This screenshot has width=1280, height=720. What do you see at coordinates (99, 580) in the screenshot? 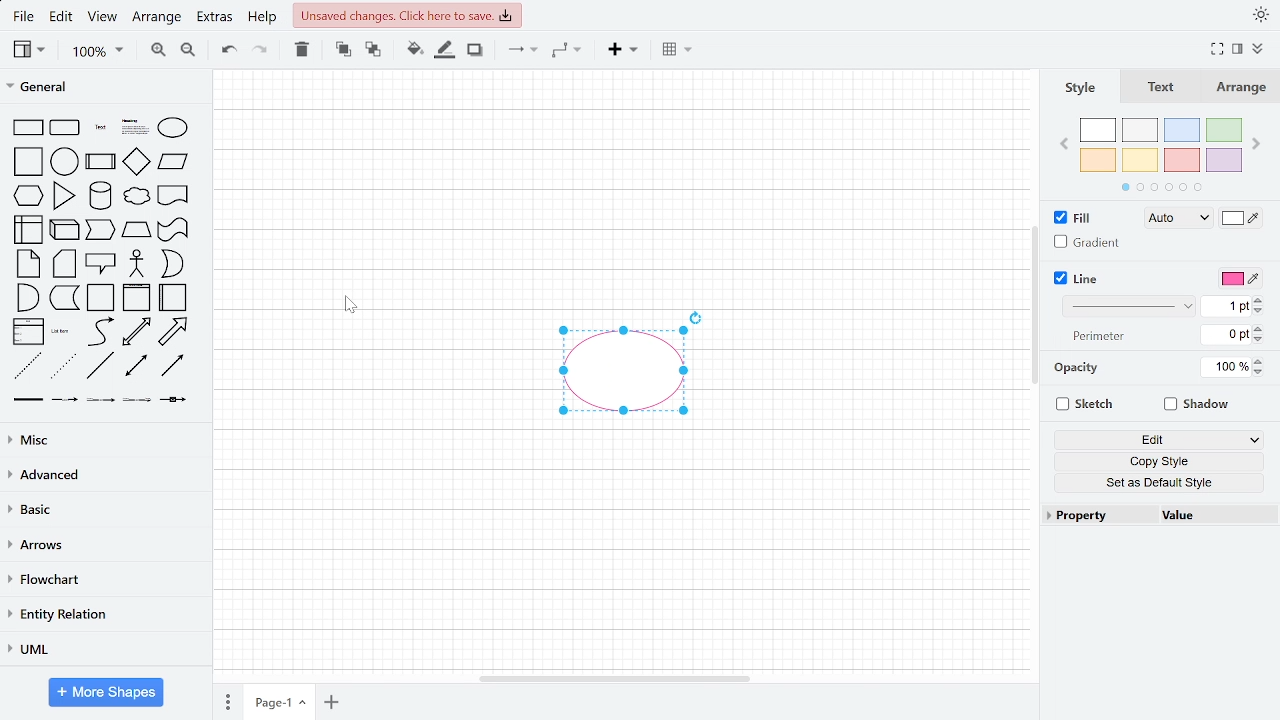
I see `flowchart` at bounding box center [99, 580].